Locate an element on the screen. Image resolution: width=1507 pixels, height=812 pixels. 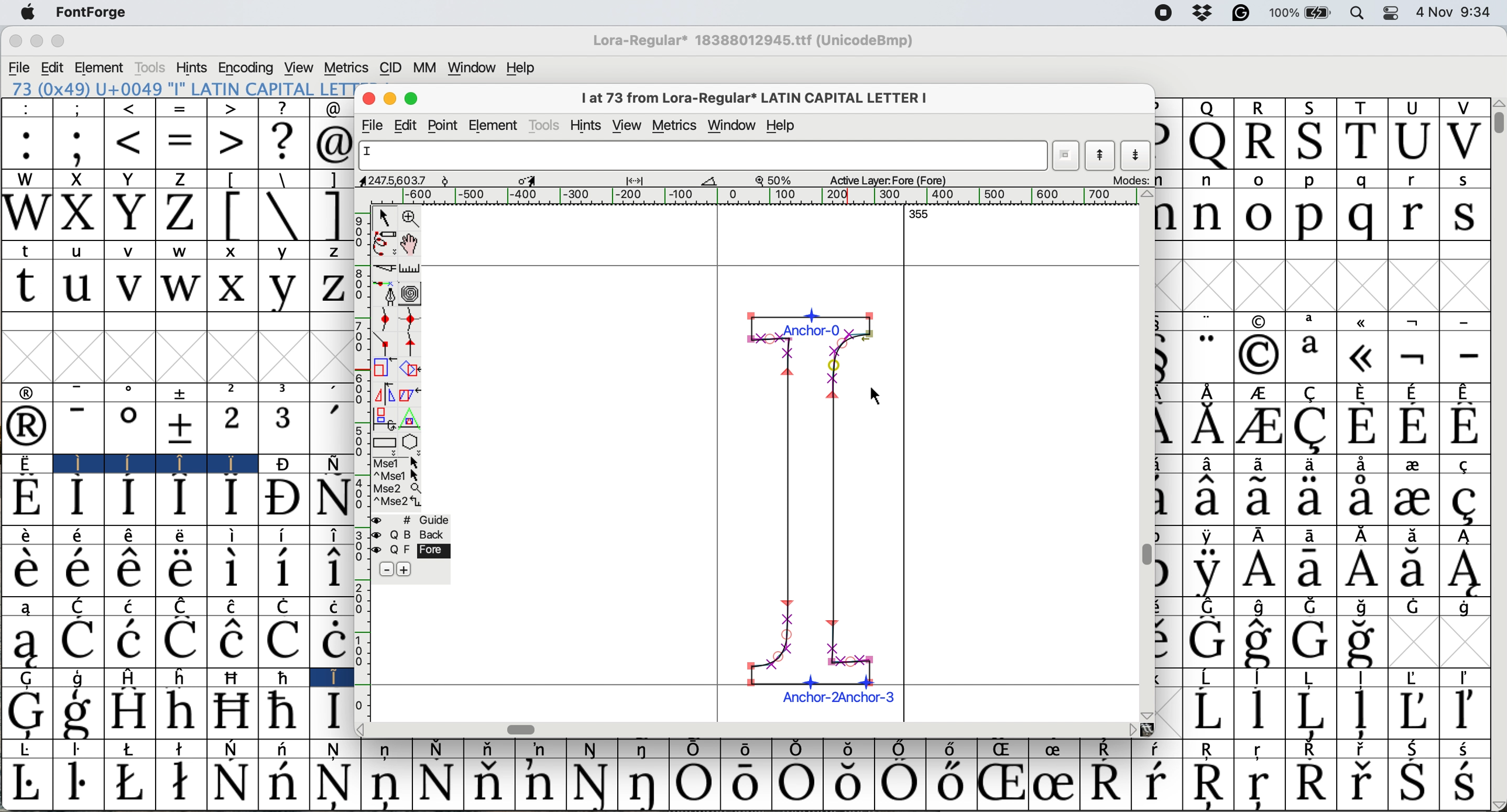
U is located at coordinates (1411, 144).